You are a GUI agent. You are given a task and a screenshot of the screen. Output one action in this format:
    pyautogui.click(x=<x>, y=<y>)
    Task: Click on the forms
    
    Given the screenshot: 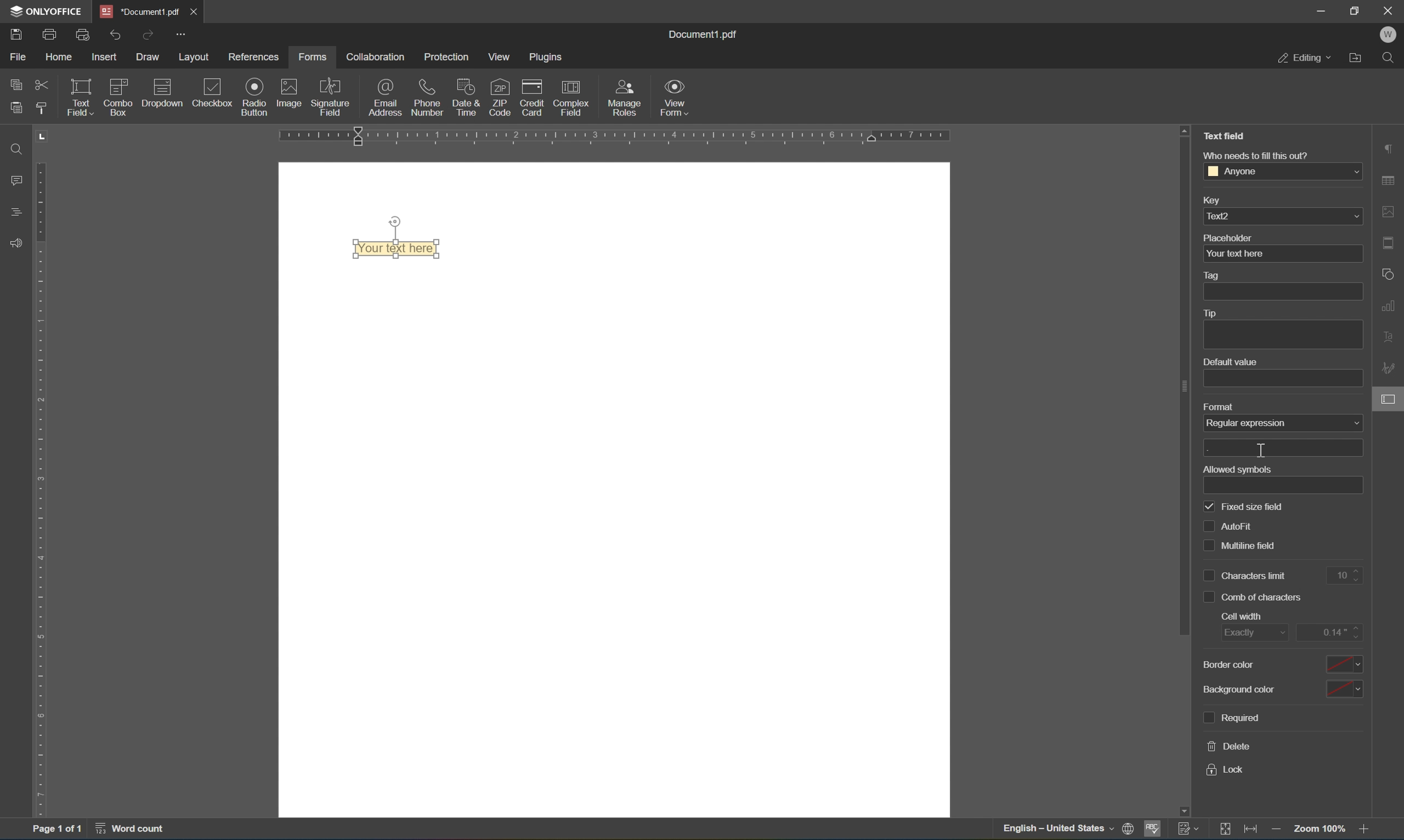 What is the action you would take?
    pyautogui.click(x=311, y=58)
    